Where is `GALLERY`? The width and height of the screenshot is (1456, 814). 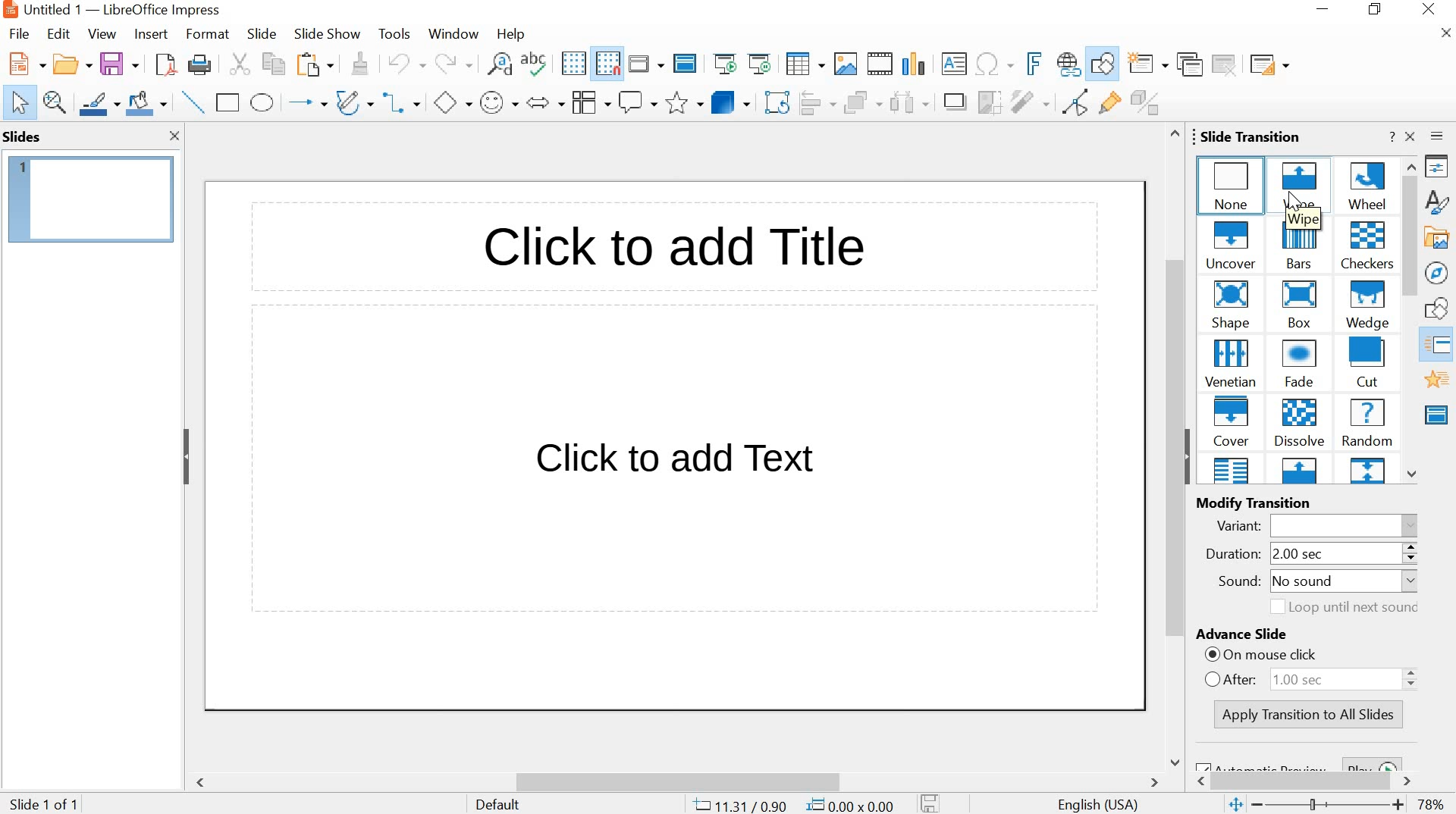
GALLERY is located at coordinates (1436, 236).